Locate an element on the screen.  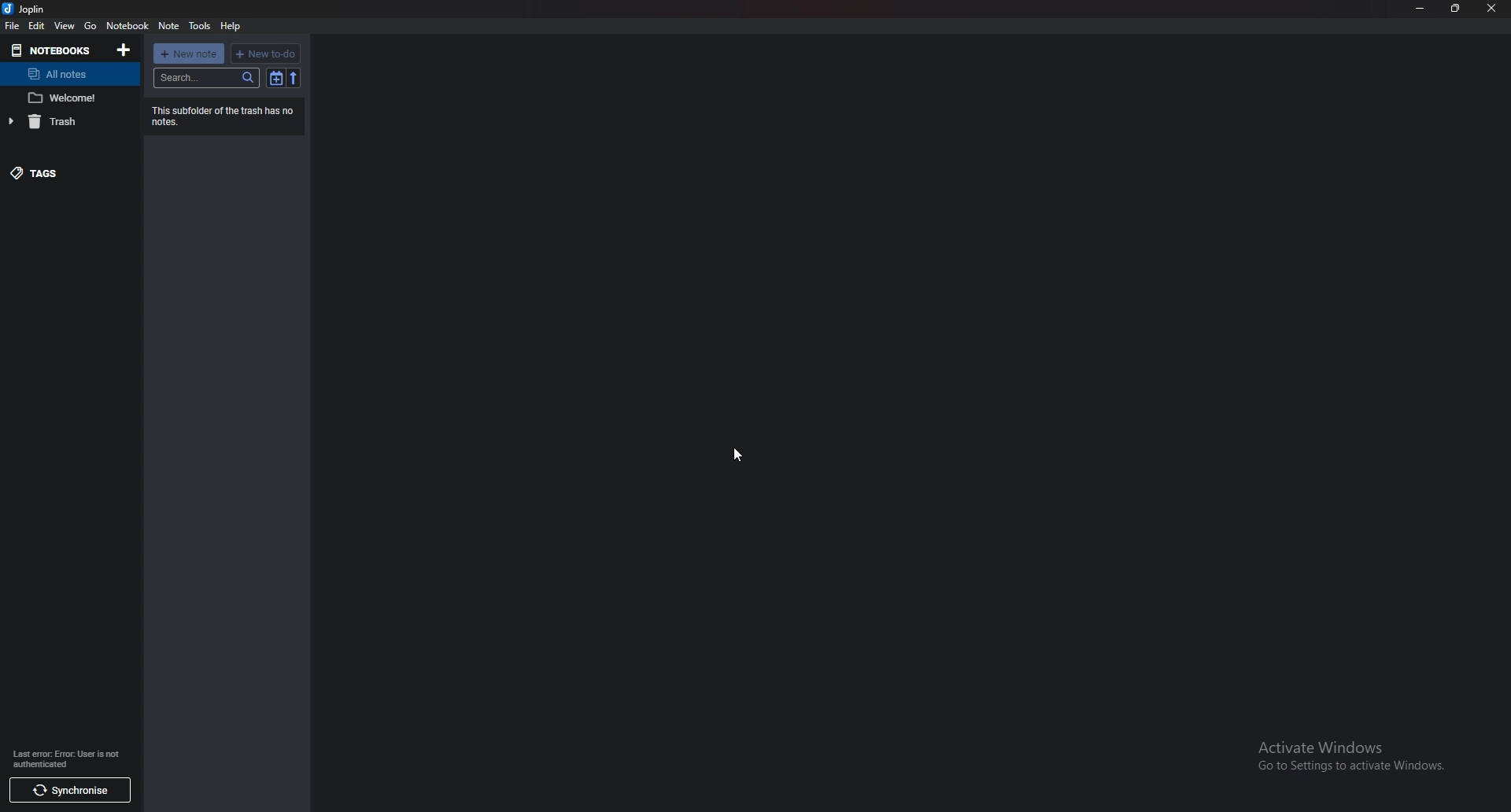
file is located at coordinates (12, 26).